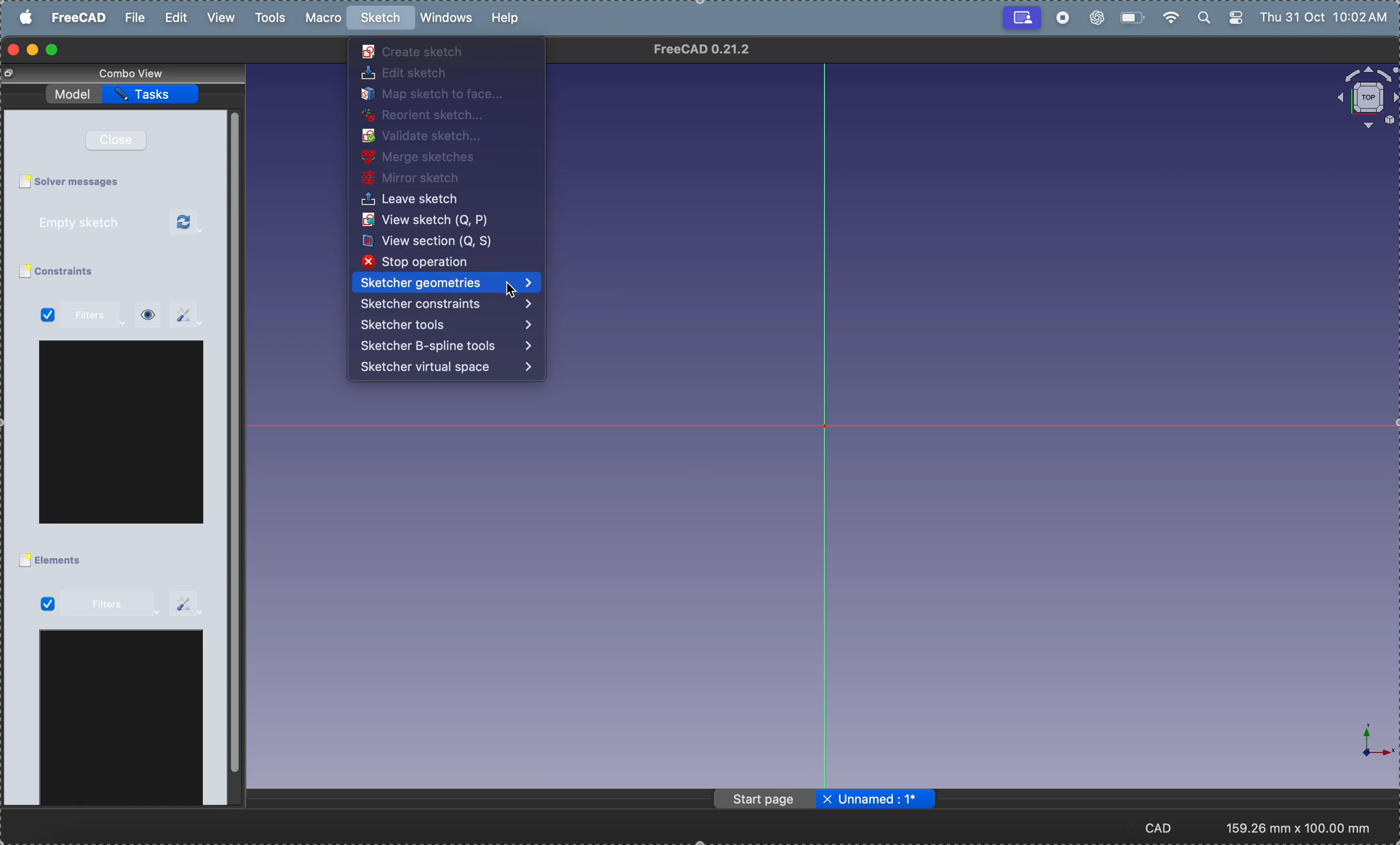 This screenshot has width=1400, height=845. Describe the element at coordinates (24, 561) in the screenshot. I see `Checkbox` at that location.